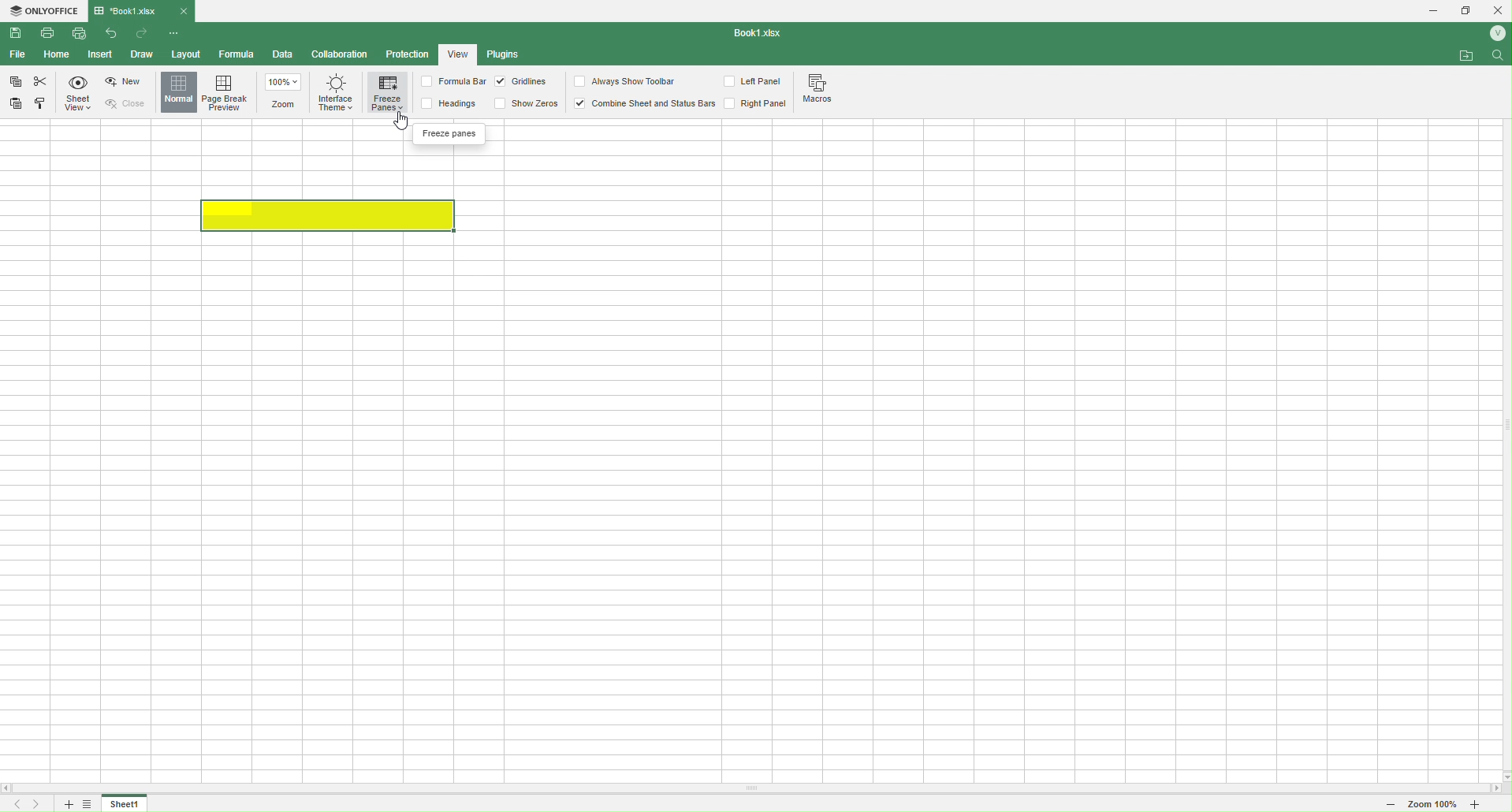  I want to click on Undo, so click(114, 35).